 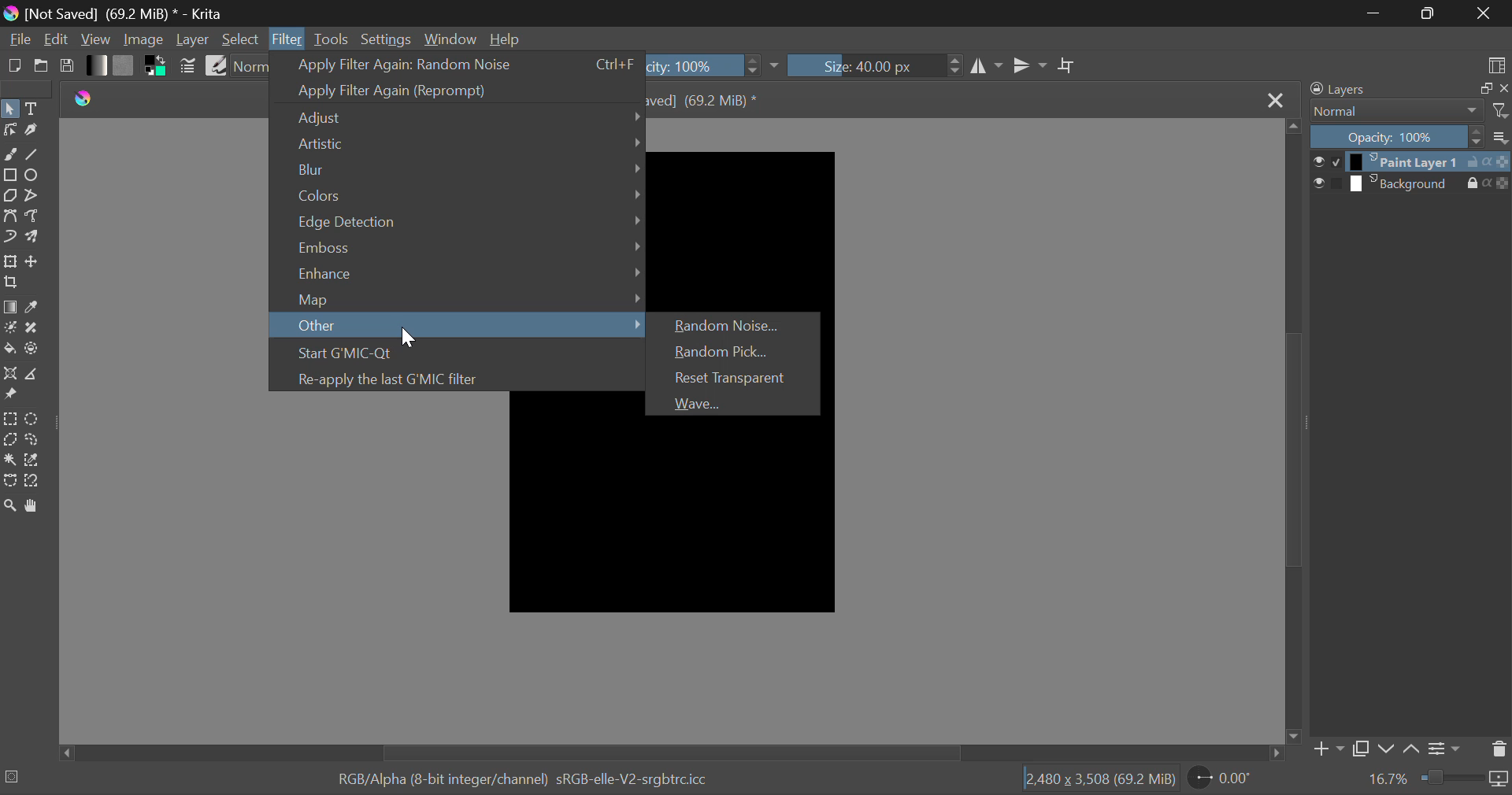 What do you see at coordinates (11, 505) in the screenshot?
I see `Zoom` at bounding box center [11, 505].